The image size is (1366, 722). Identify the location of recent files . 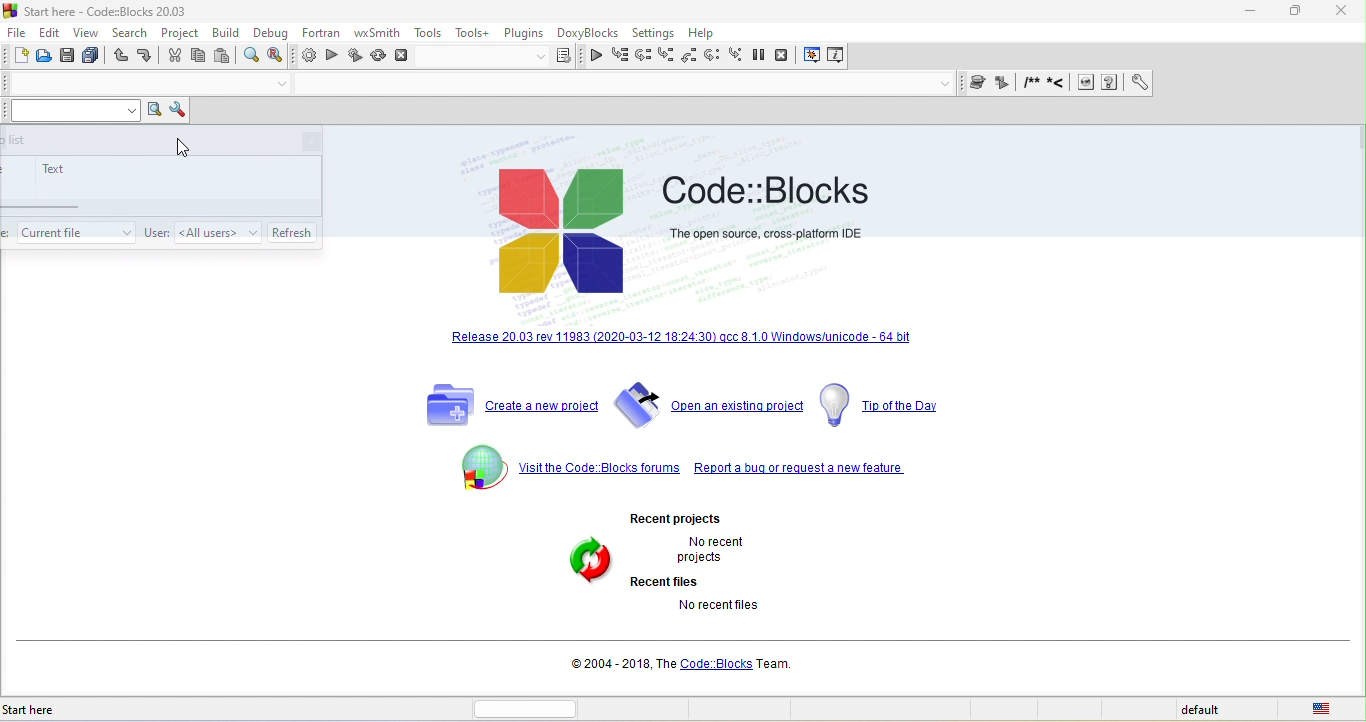
(670, 581).